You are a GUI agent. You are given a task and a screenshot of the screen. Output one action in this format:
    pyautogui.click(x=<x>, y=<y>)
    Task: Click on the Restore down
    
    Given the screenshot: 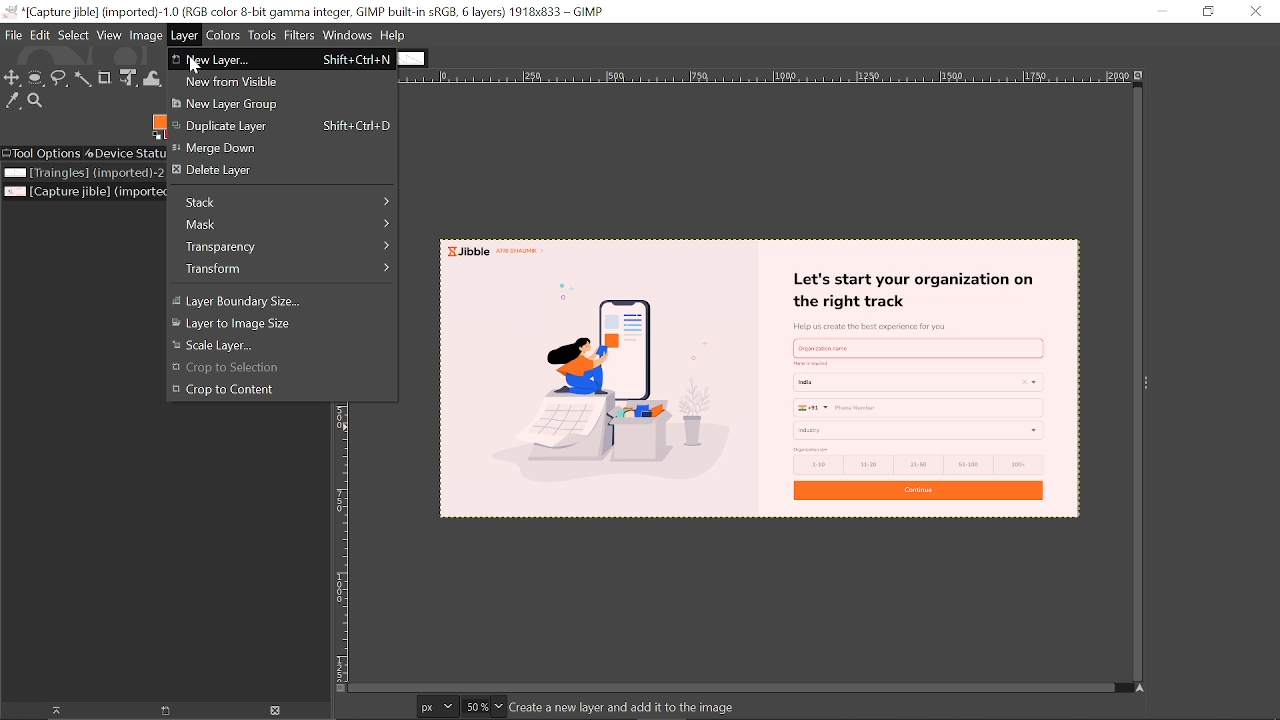 What is the action you would take?
    pyautogui.click(x=1209, y=12)
    